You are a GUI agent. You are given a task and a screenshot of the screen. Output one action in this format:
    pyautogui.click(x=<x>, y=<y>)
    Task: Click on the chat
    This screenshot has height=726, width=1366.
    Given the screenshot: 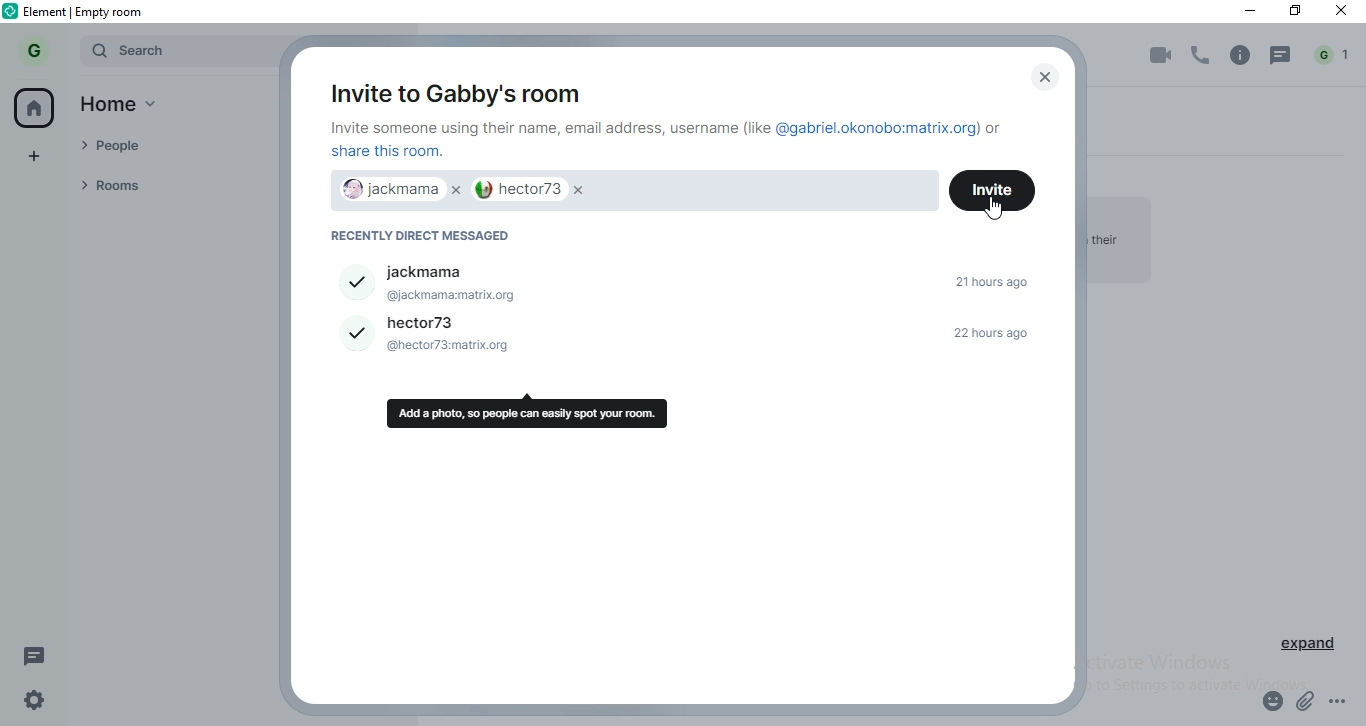 What is the action you would take?
    pyautogui.click(x=1282, y=56)
    